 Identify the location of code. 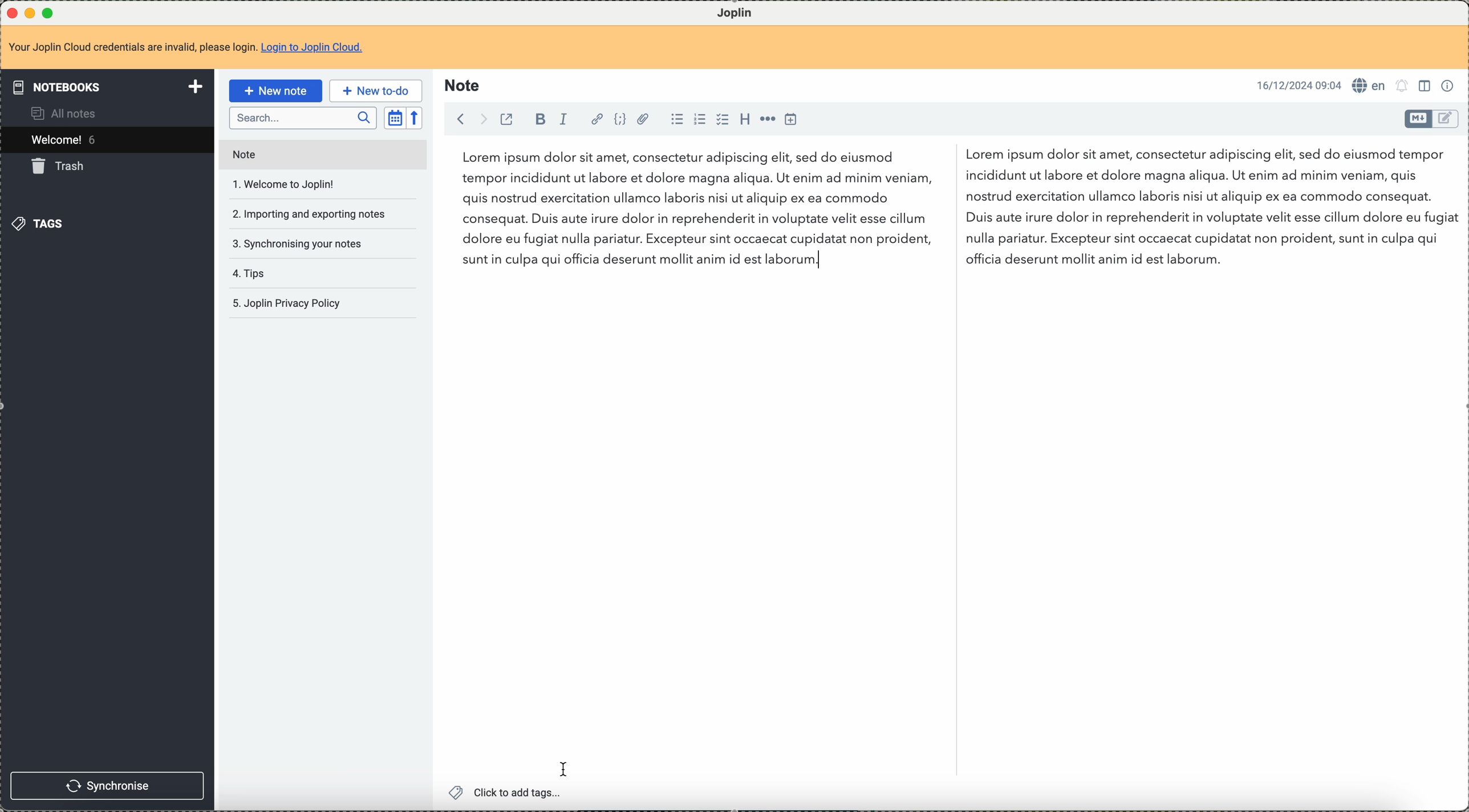
(620, 118).